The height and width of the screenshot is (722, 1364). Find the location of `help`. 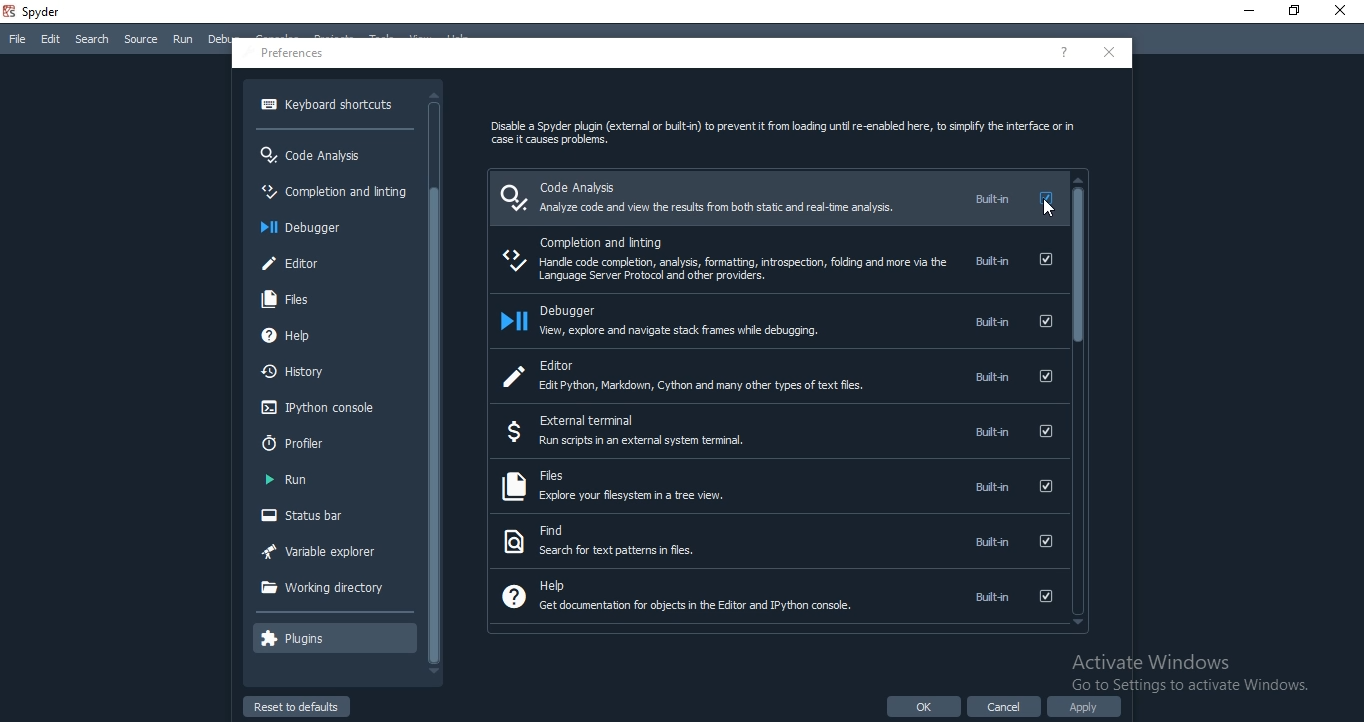

help is located at coordinates (775, 595).